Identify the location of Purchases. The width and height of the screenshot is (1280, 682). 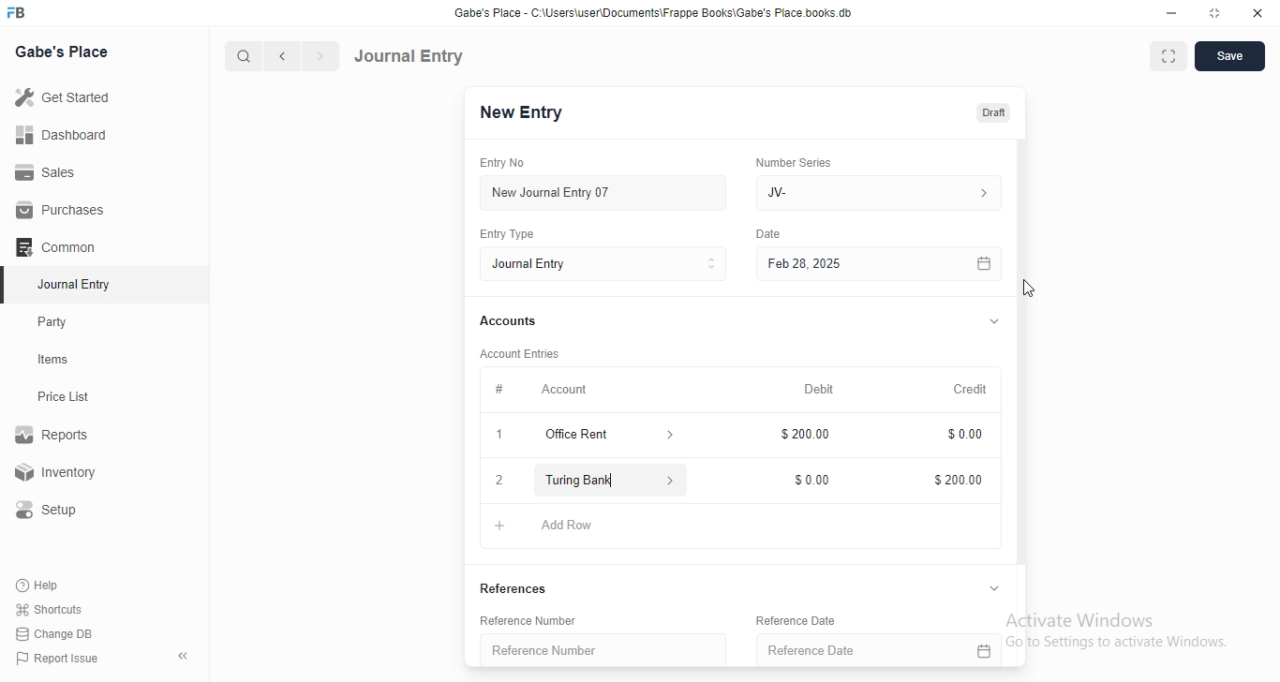
(61, 210).